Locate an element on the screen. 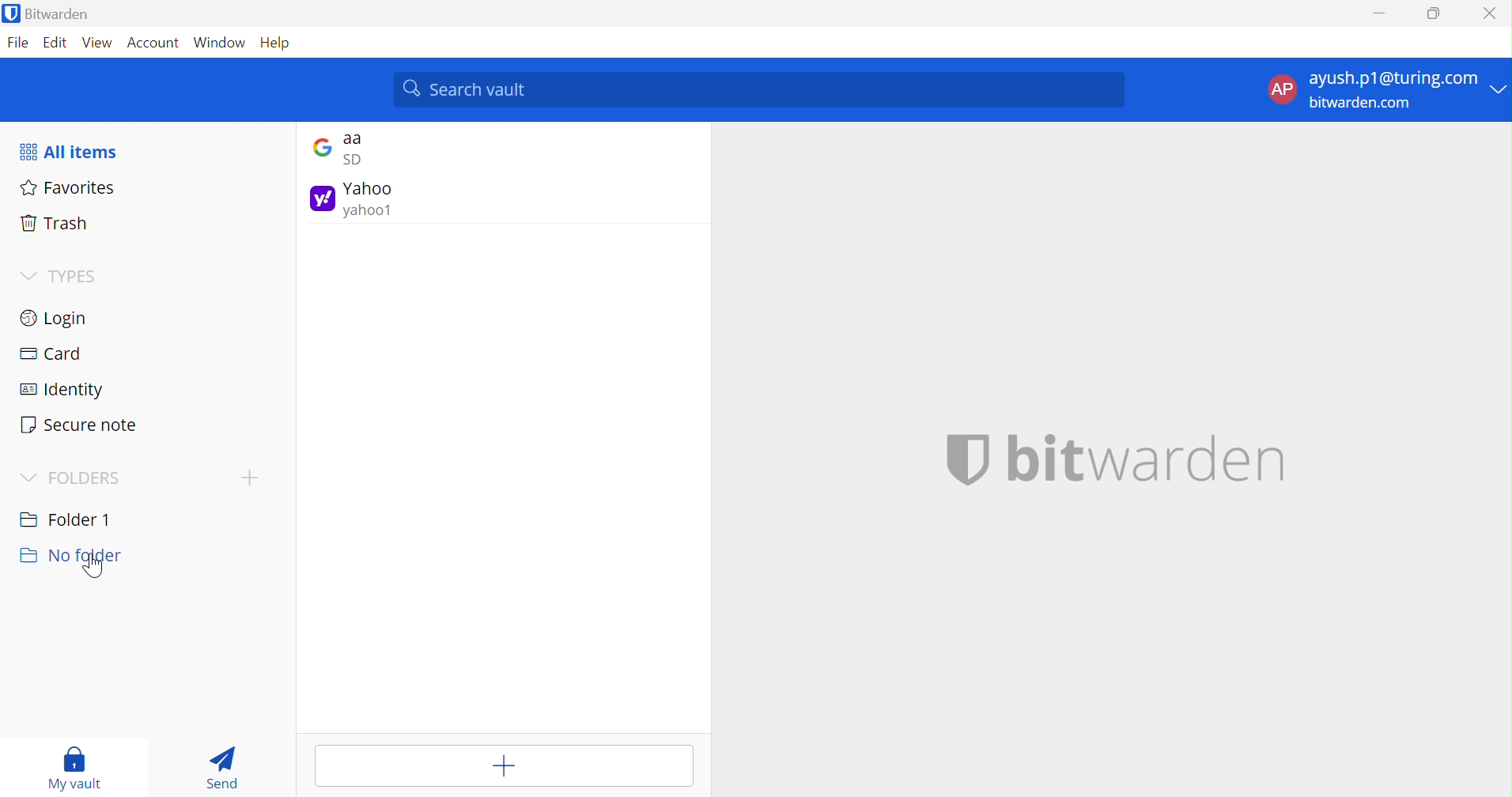 Image resolution: width=1512 pixels, height=797 pixels. View is located at coordinates (97, 42).